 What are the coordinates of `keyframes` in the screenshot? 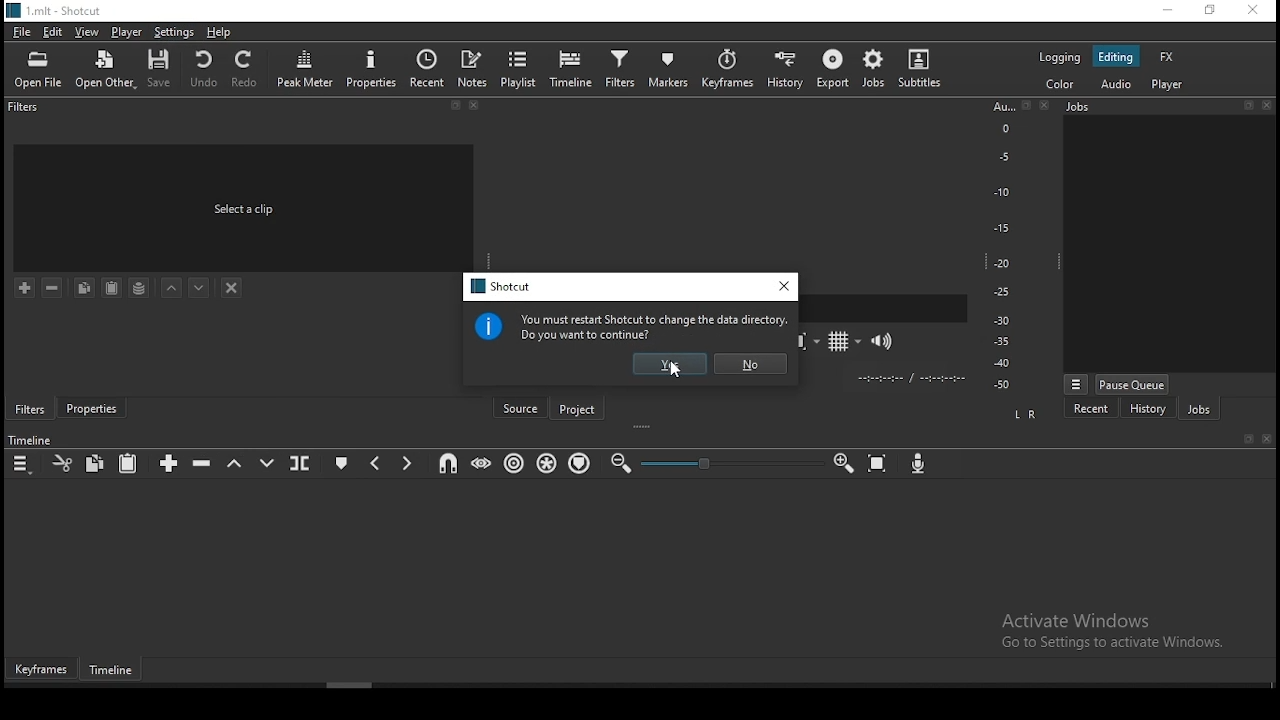 It's located at (727, 68).